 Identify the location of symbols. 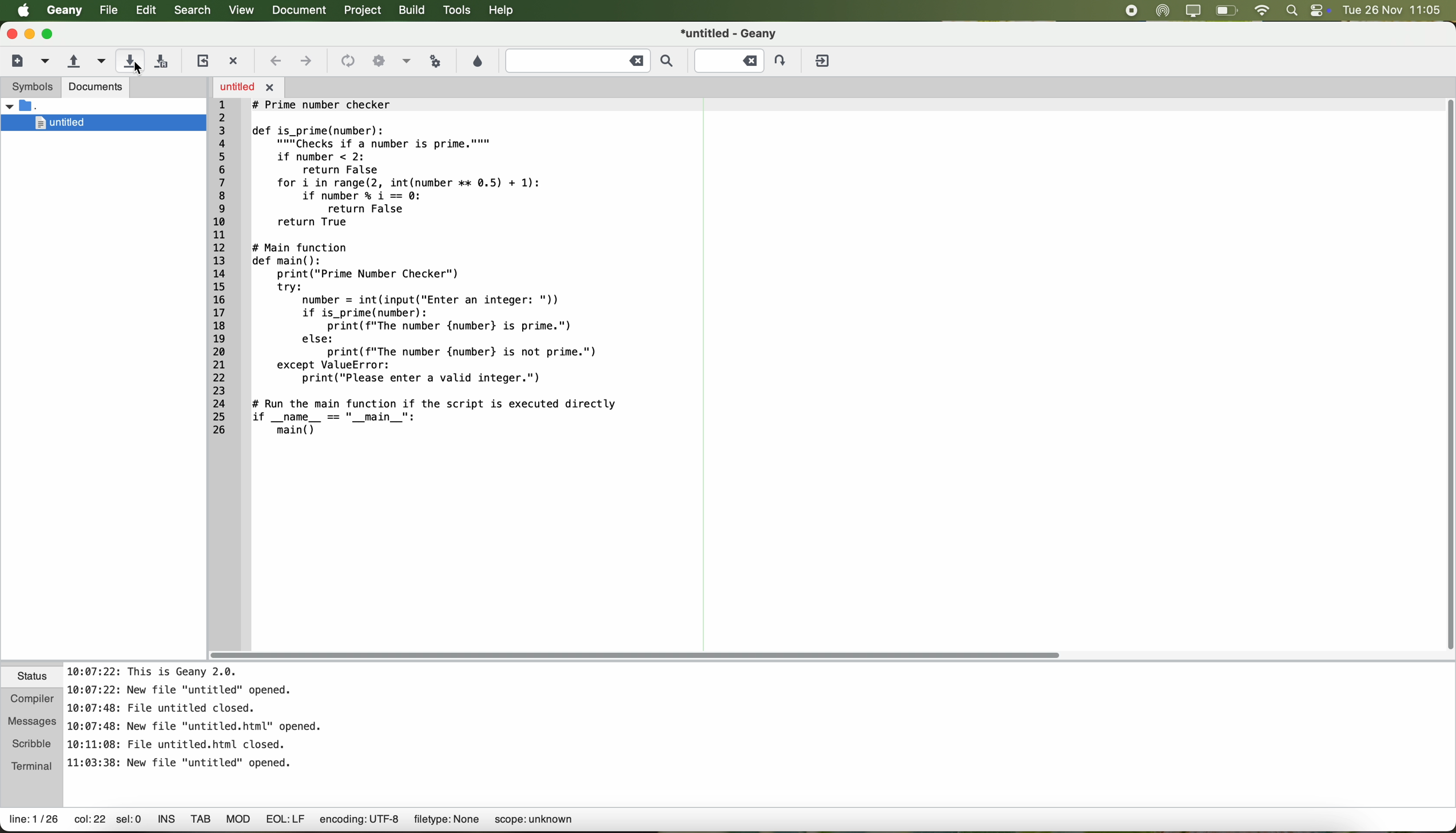
(30, 88).